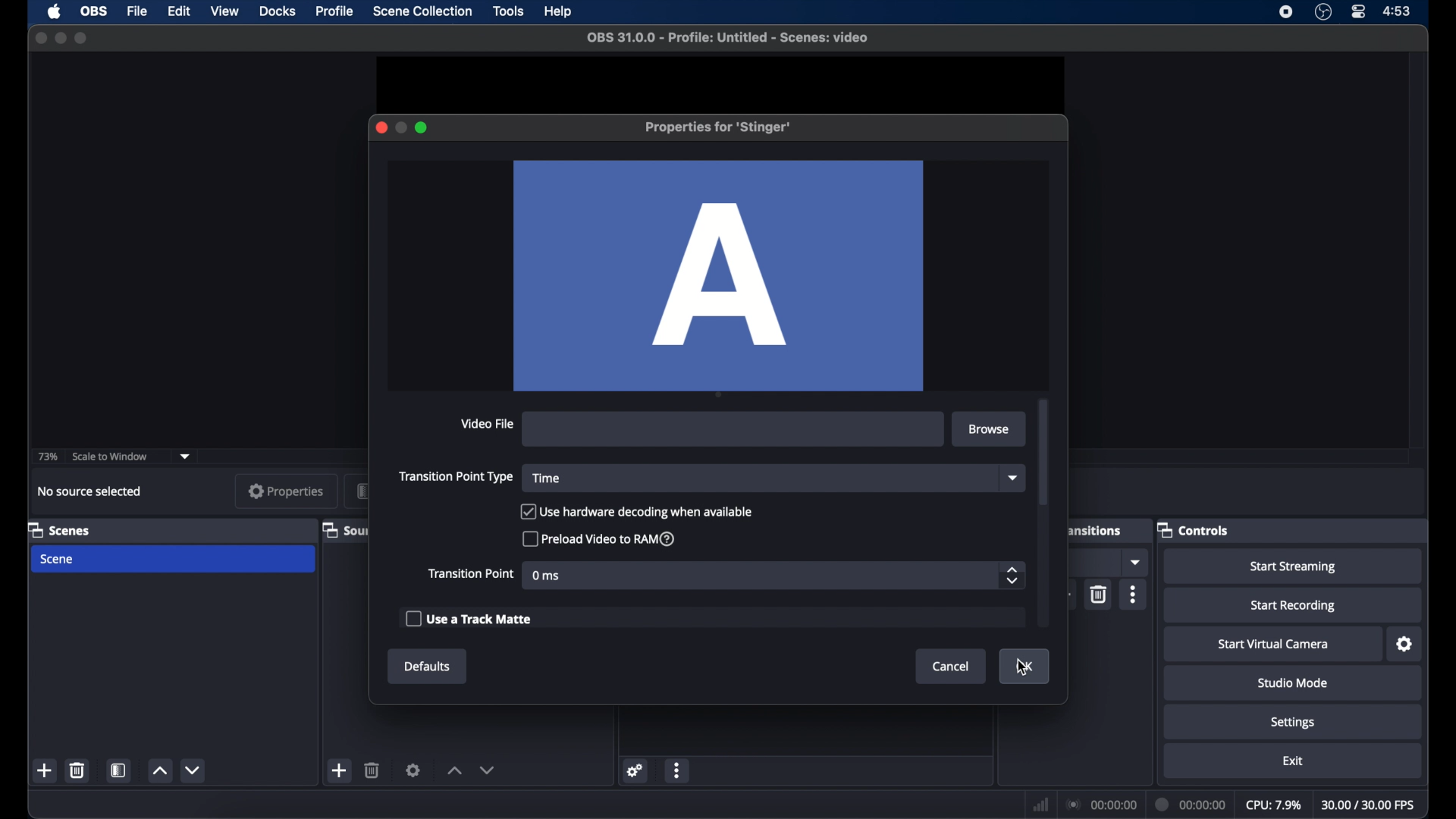 The width and height of the screenshot is (1456, 819). I want to click on scene transitions, so click(1097, 529).